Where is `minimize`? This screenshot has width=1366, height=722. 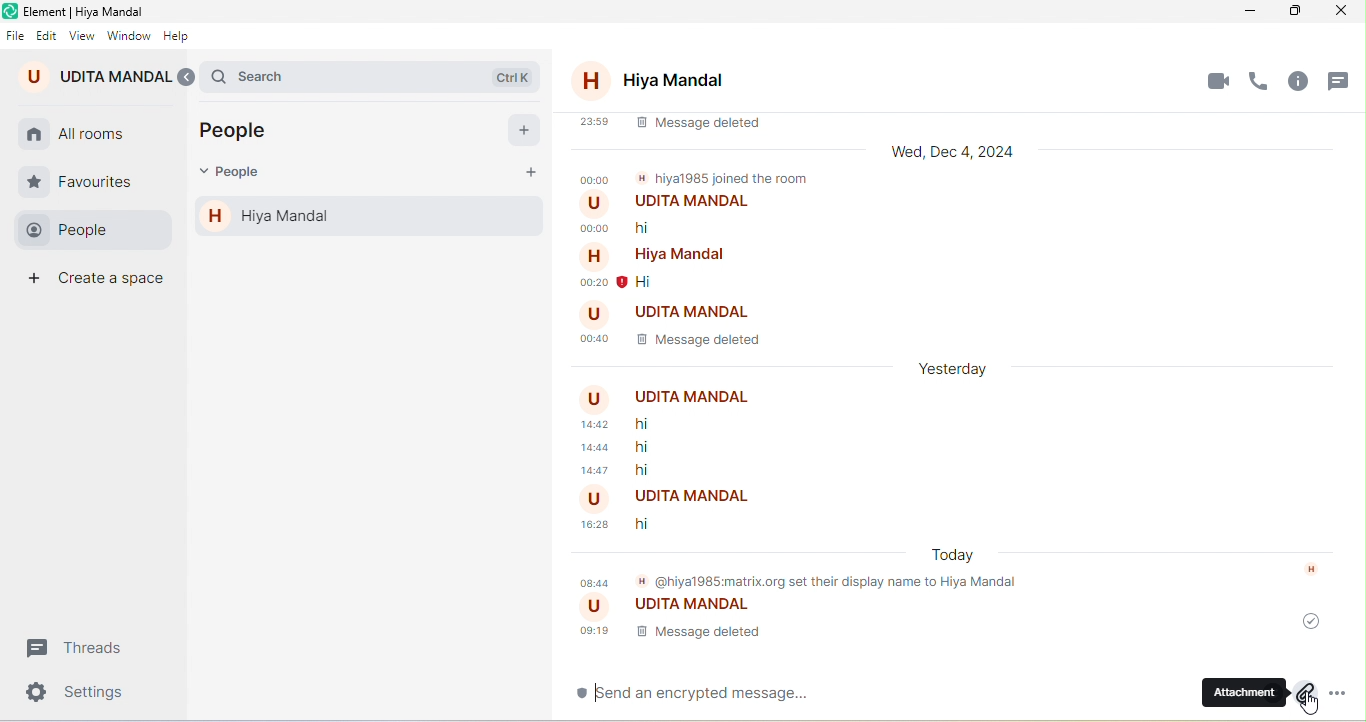
minimize is located at coordinates (1252, 11).